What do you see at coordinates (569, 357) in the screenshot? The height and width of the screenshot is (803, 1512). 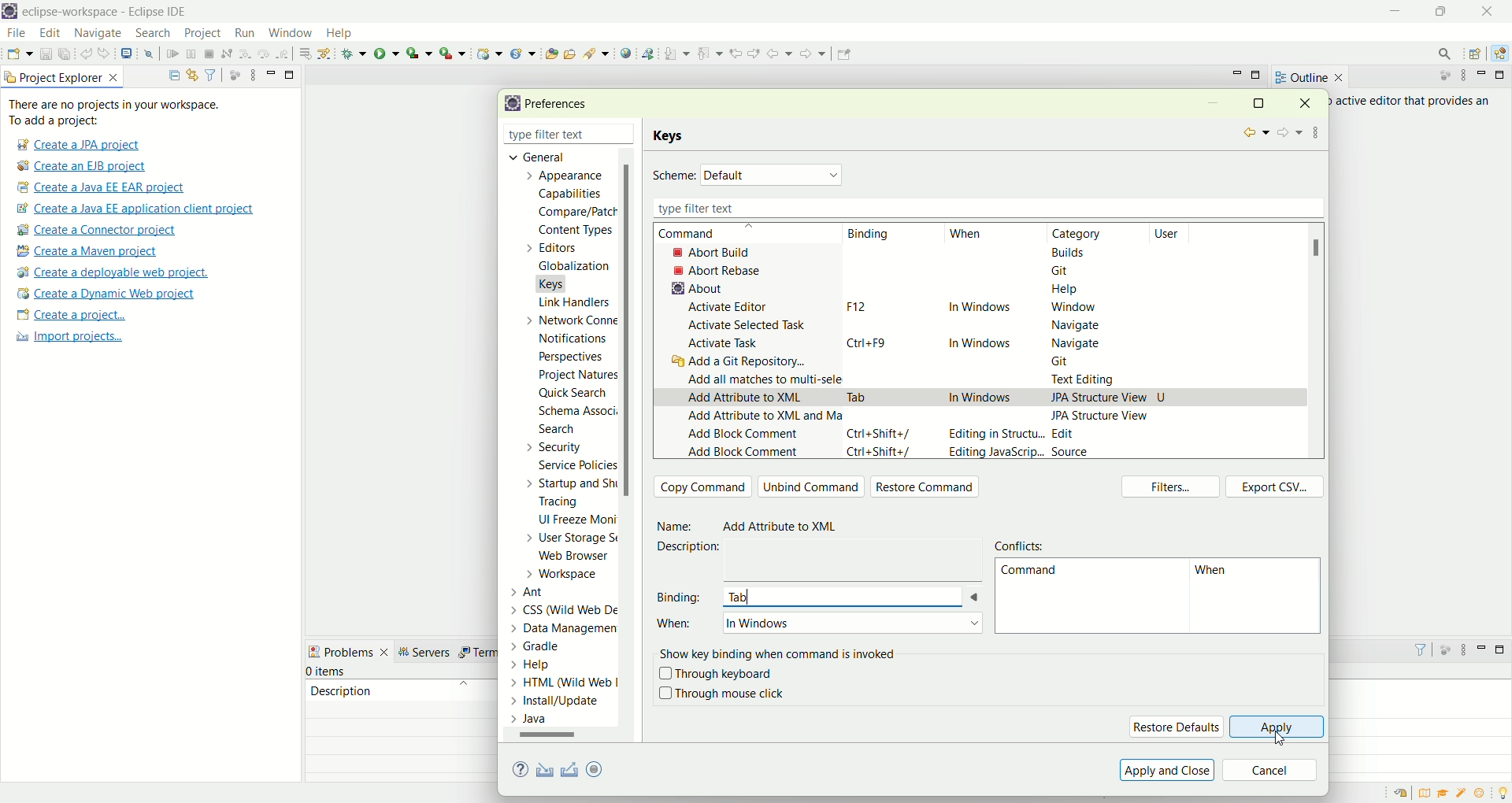 I see `perspectives` at bounding box center [569, 357].